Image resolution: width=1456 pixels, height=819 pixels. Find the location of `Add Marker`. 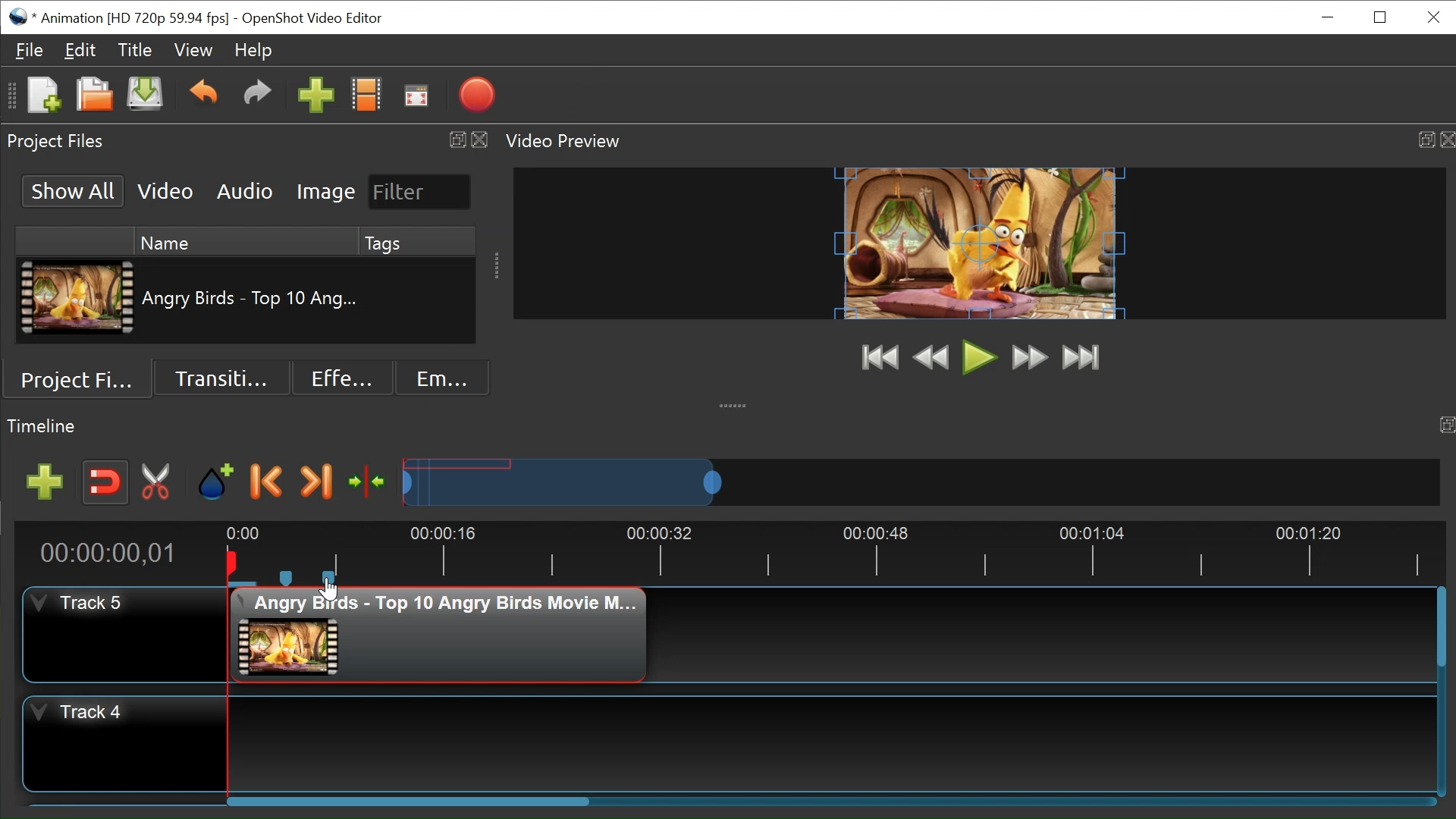

Add Marker is located at coordinates (215, 482).